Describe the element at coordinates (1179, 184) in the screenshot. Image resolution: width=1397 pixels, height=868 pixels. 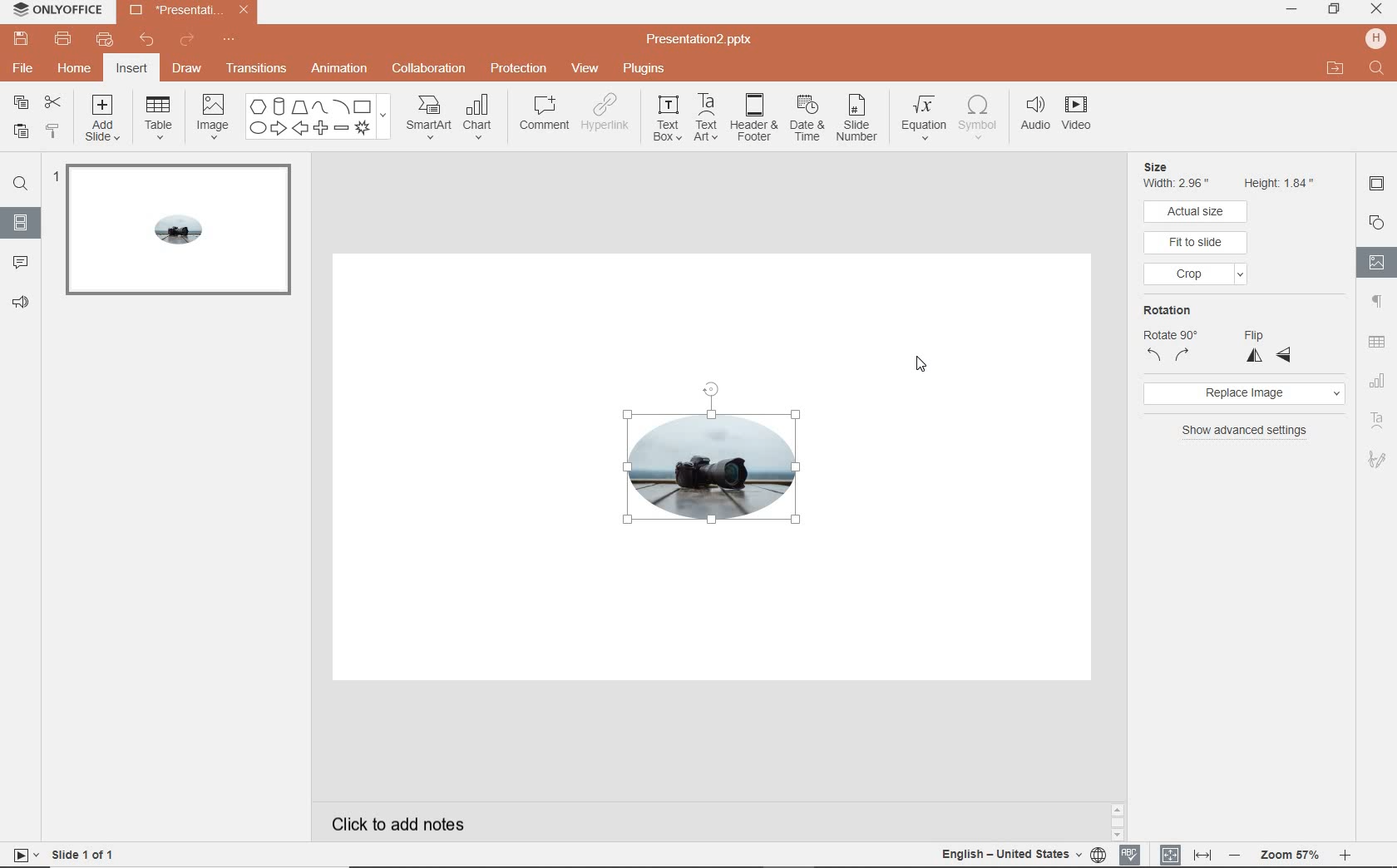
I see `Width 2.96"` at that location.